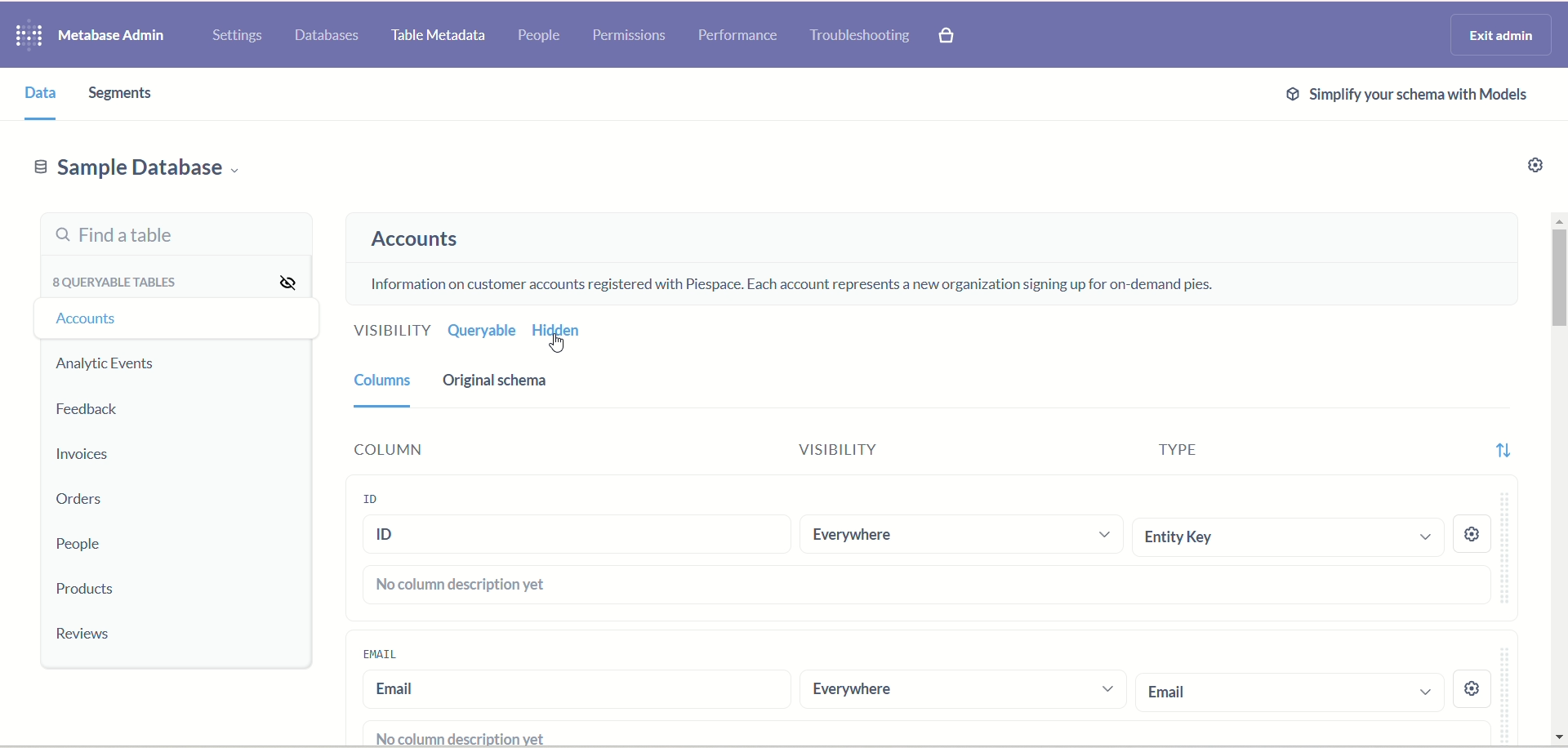 This screenshot has width=1568, height=748. Describe the element at coordinates (291, 284) in the screenshot. I see `visibility ` at that location.